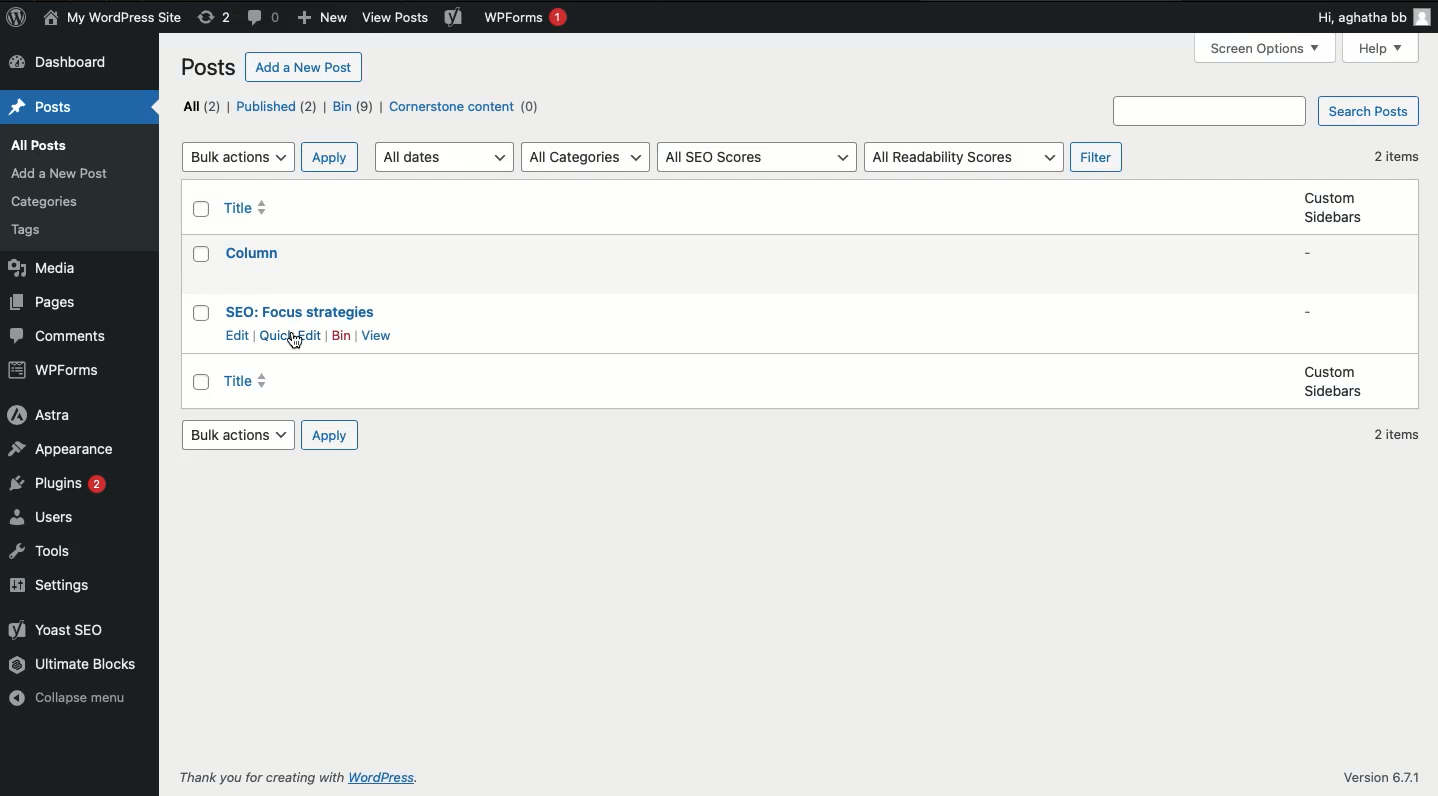  I want to click on WPForms, so click(525, 20).